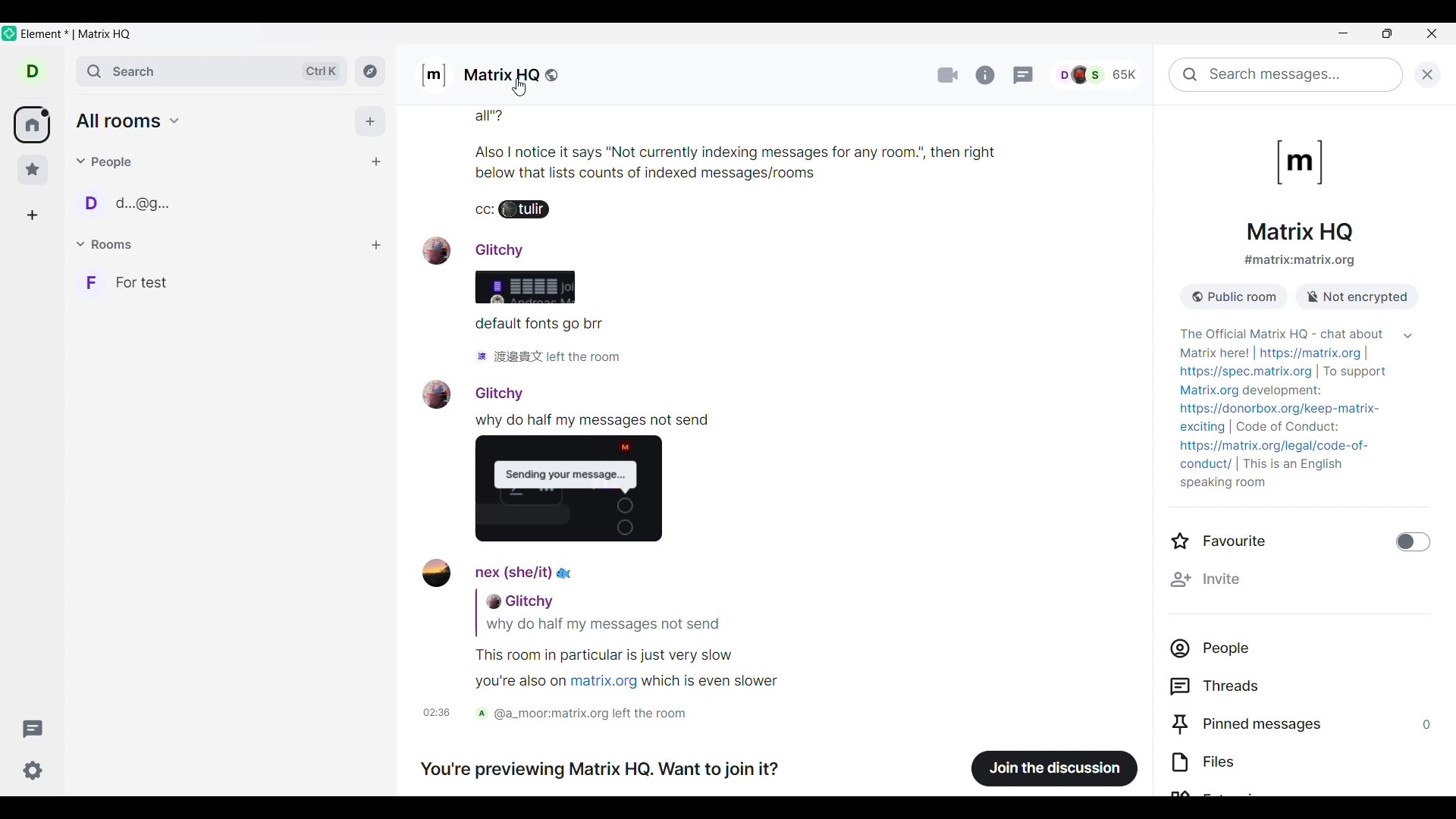  Describe the element at coordinates (1407, 336) in the screenshot. I see `Collapse` at that location.